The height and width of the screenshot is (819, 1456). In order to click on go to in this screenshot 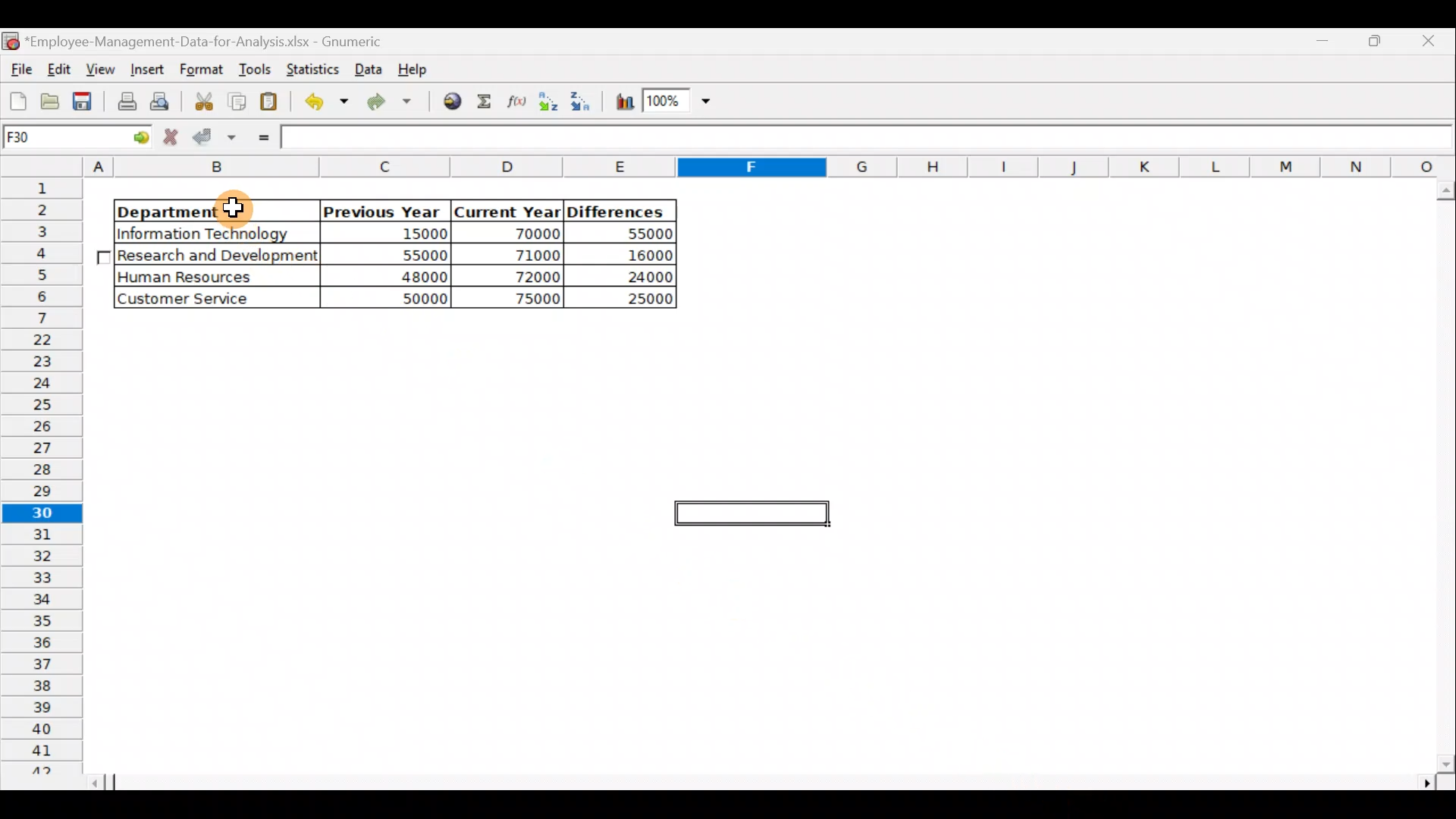, I will do `click(132, 139)`.